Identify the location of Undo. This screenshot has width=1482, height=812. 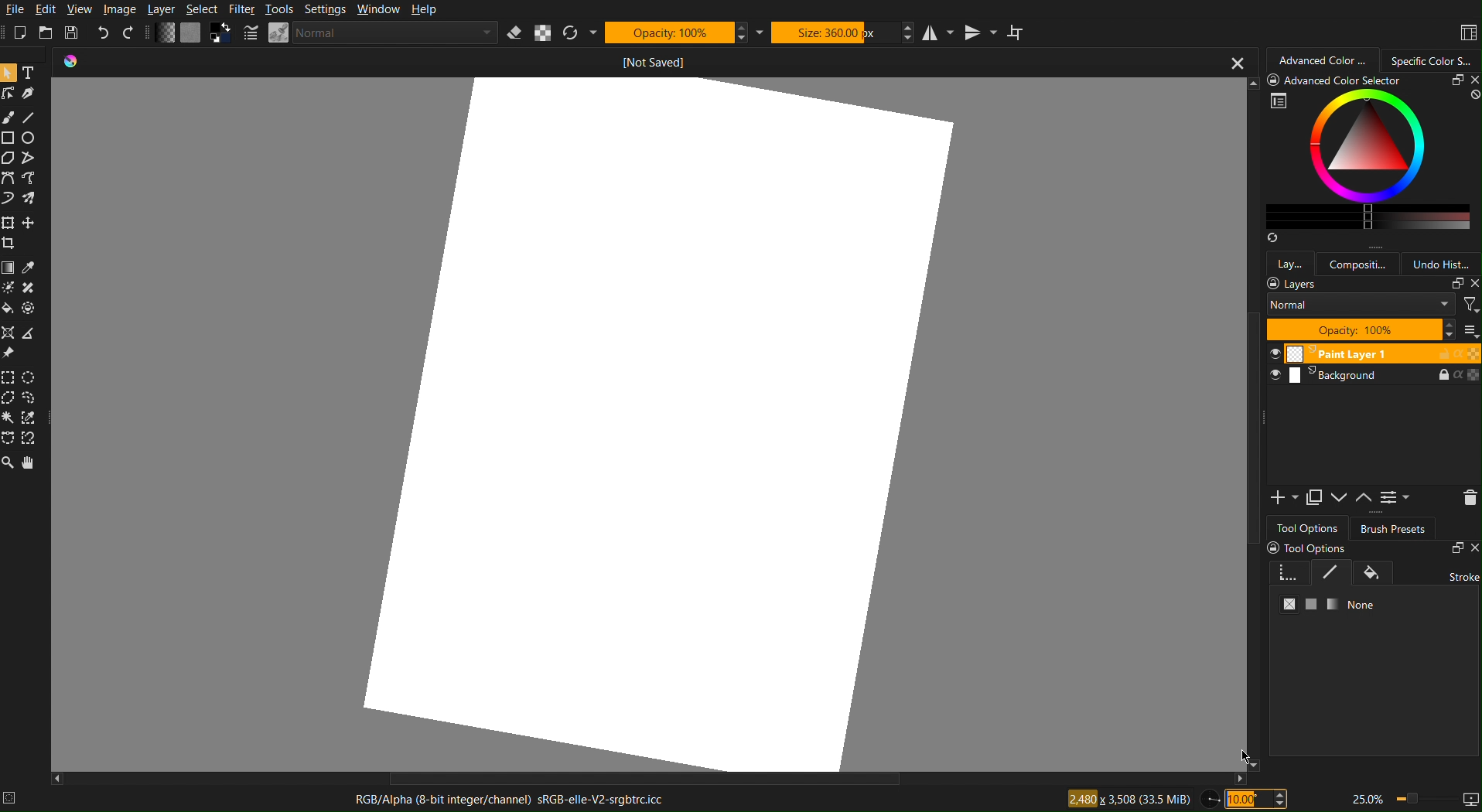
(103, 33).